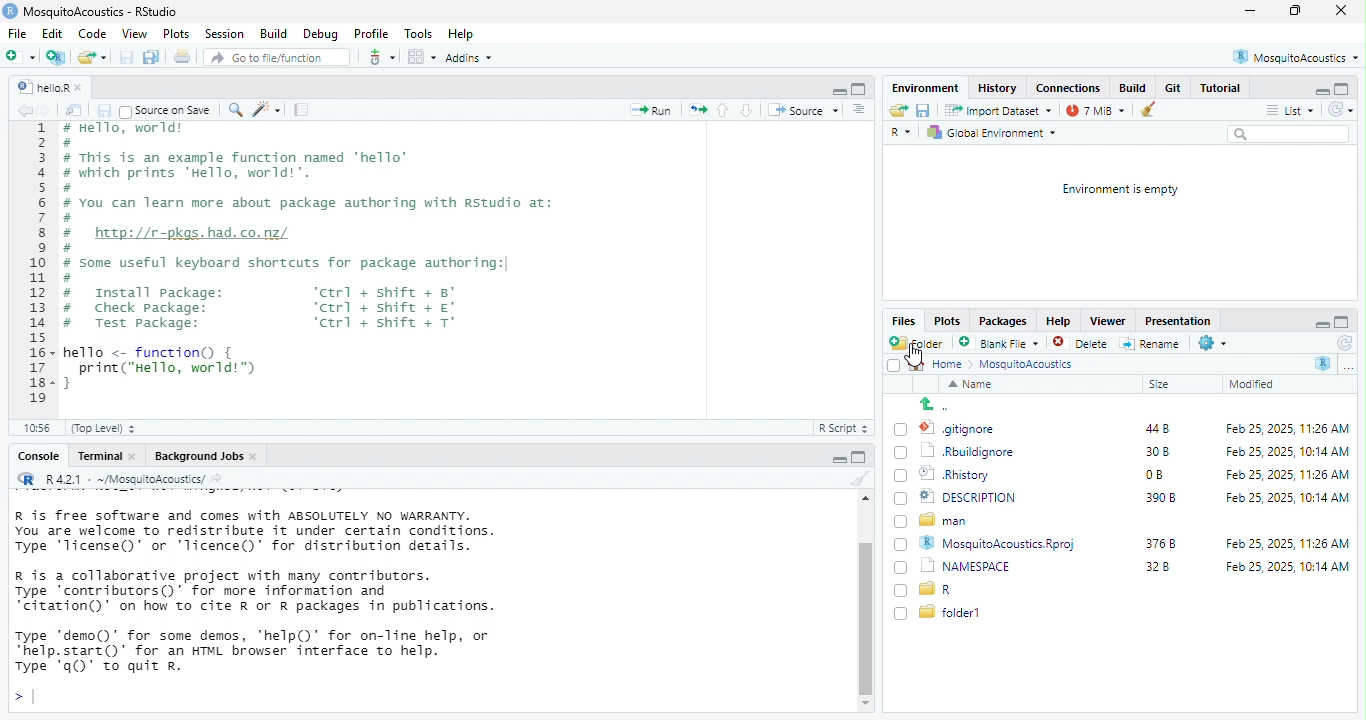 This screenshot has width=1366, height=720. I want to click on close, so click(84, 85).